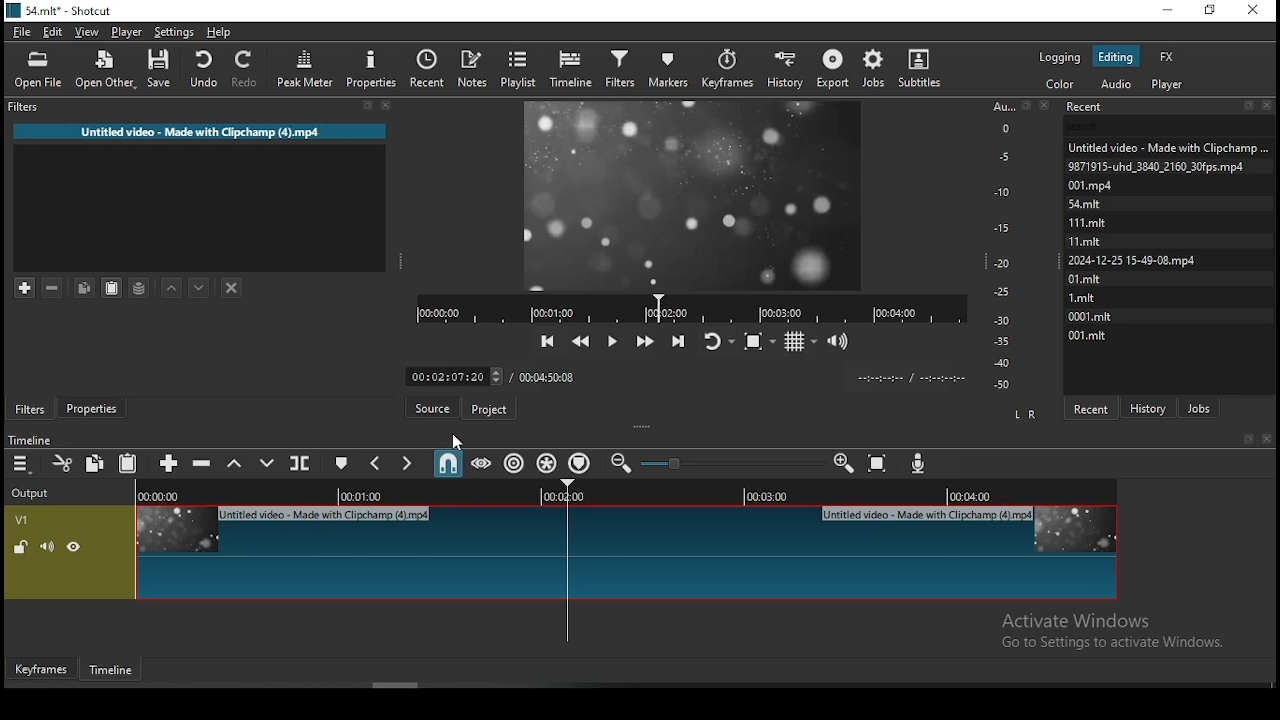  What do you see at coordinates (231, 287) in the screenshot?
I see `deselect filter` at bounding box center [231, 287].